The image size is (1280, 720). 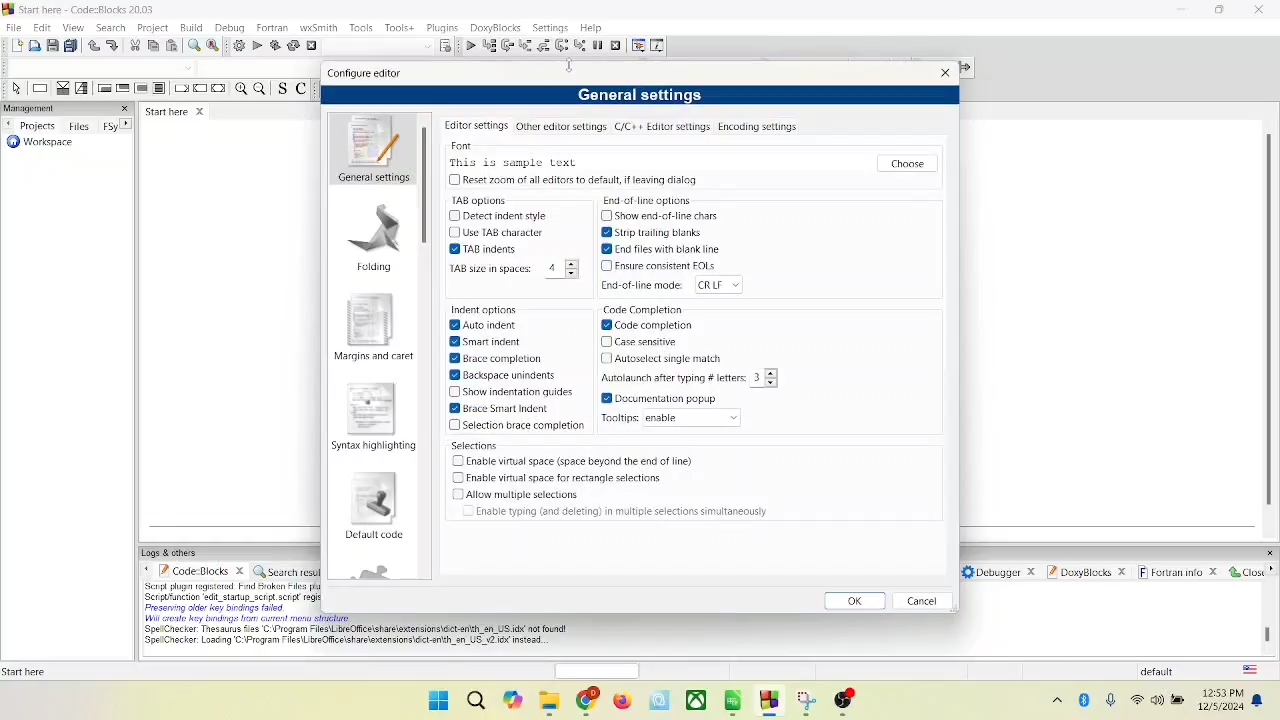 I want to click on show end of line chars, so click(x=659, y=216).